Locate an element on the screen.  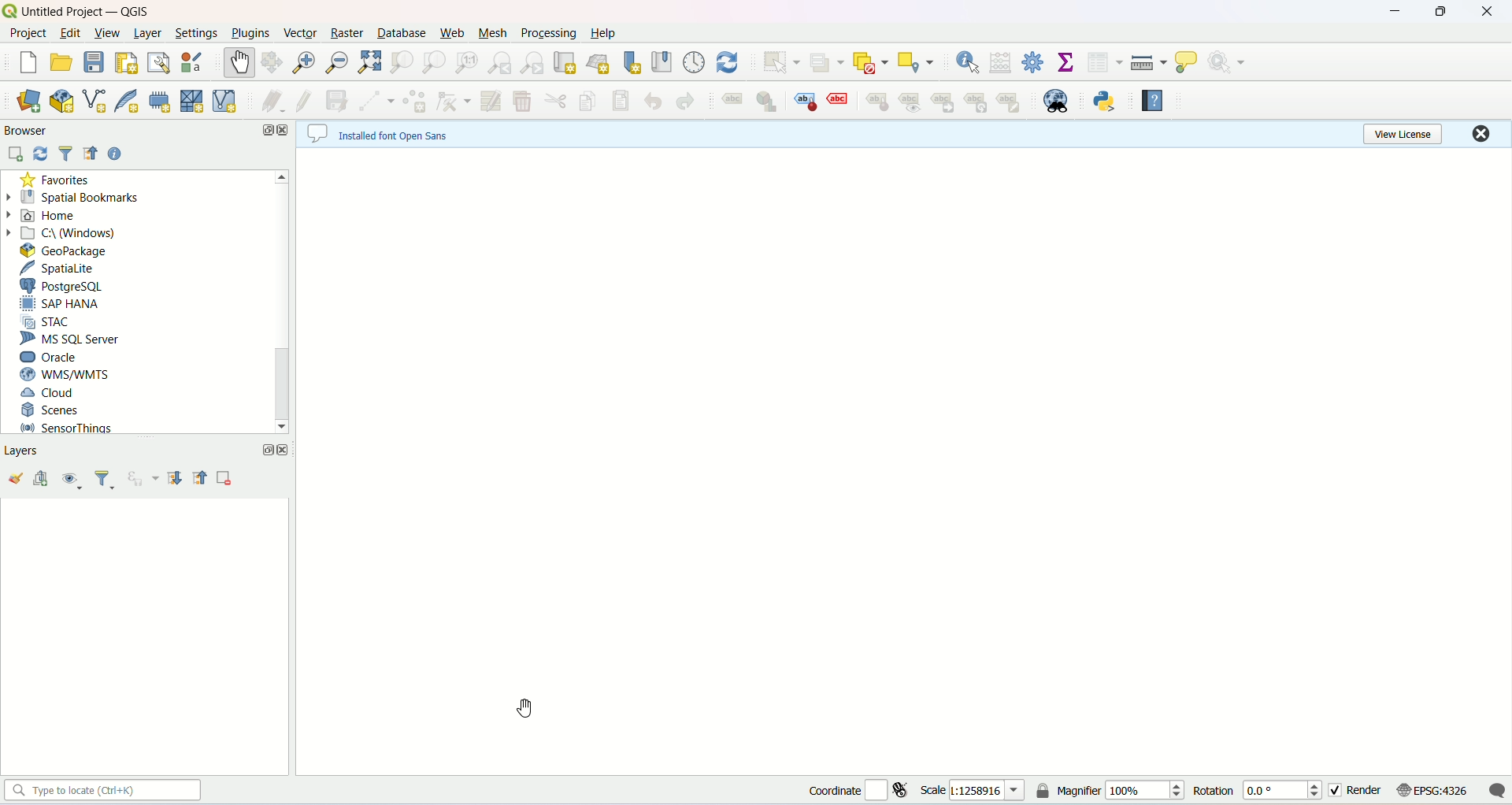
 is located at coordinates (1186, 59).